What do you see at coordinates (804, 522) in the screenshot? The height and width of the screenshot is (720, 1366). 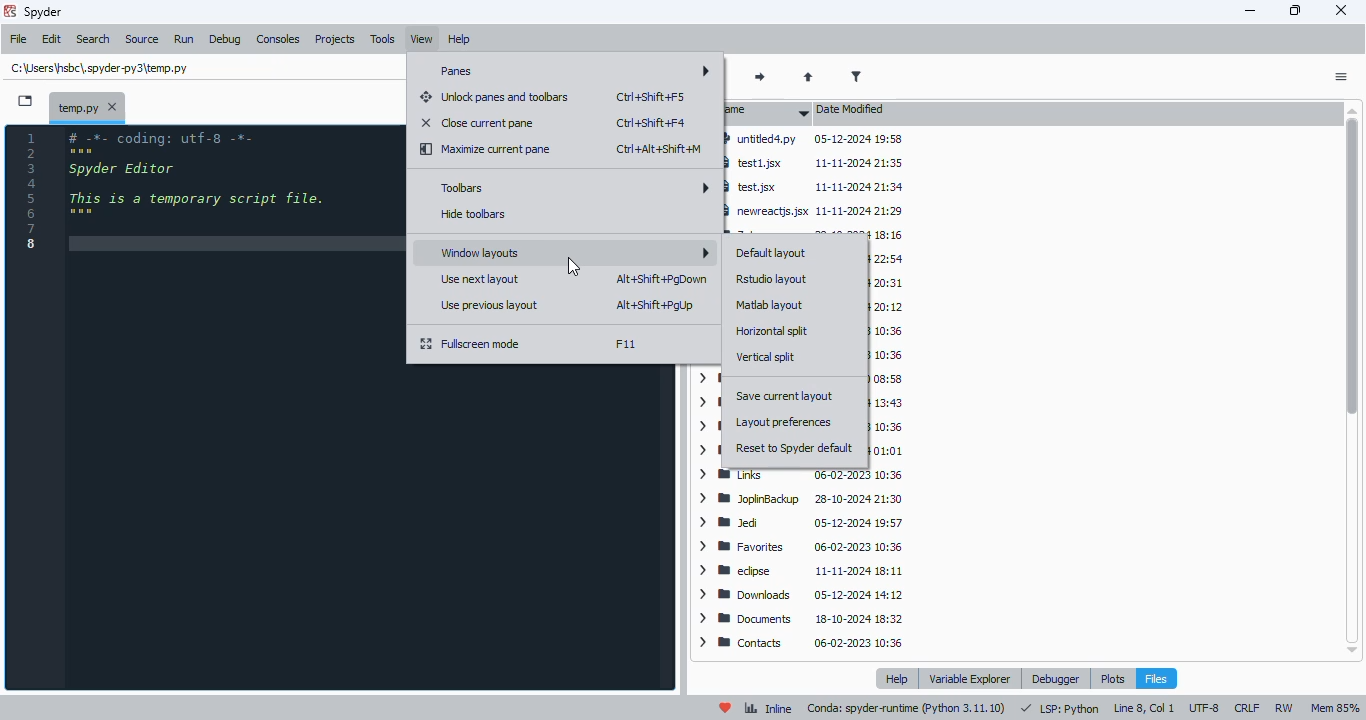 I see `Jed` at bounding box center [804, 522].